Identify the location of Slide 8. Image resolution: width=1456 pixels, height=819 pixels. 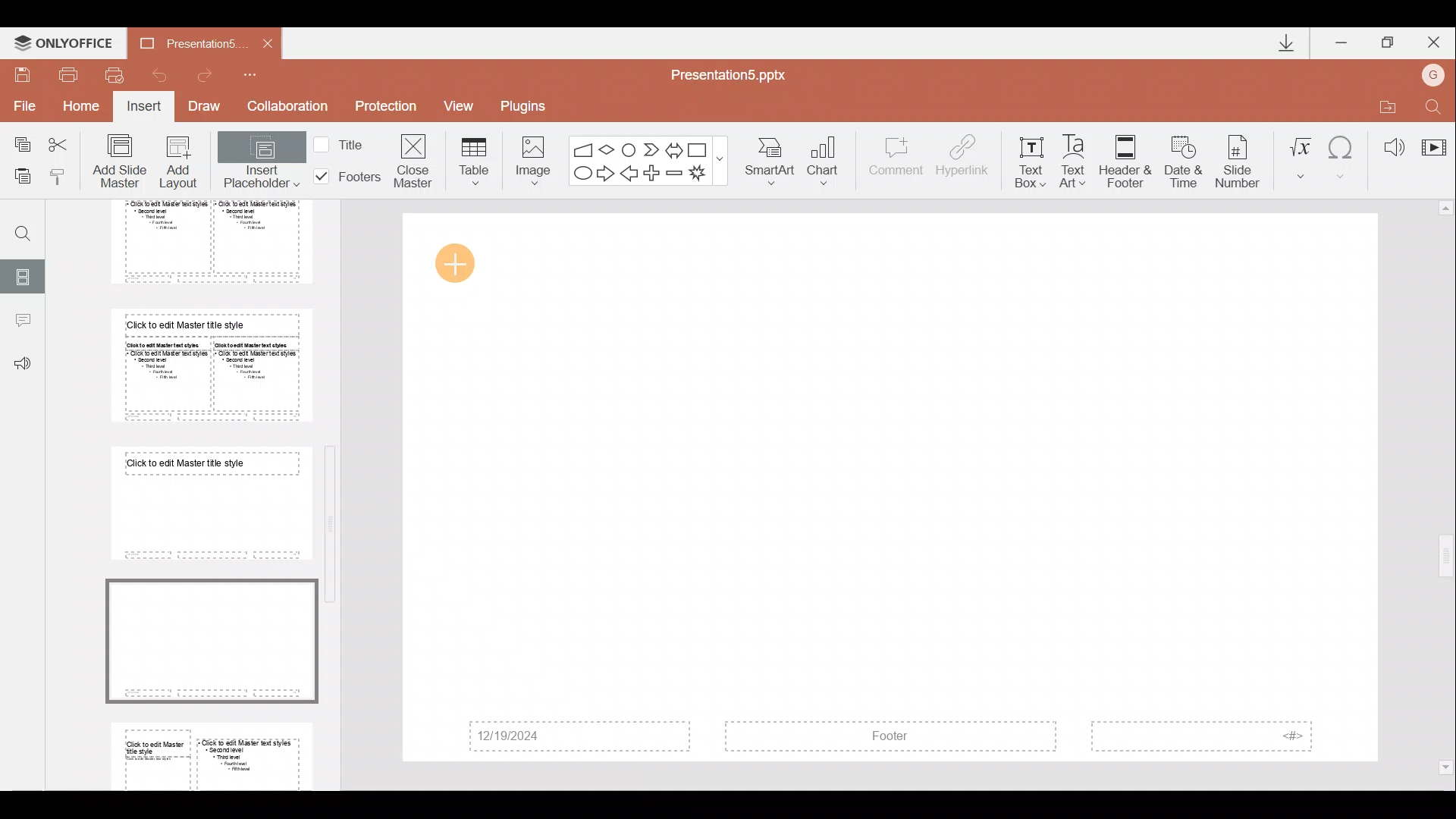
(210, 638).